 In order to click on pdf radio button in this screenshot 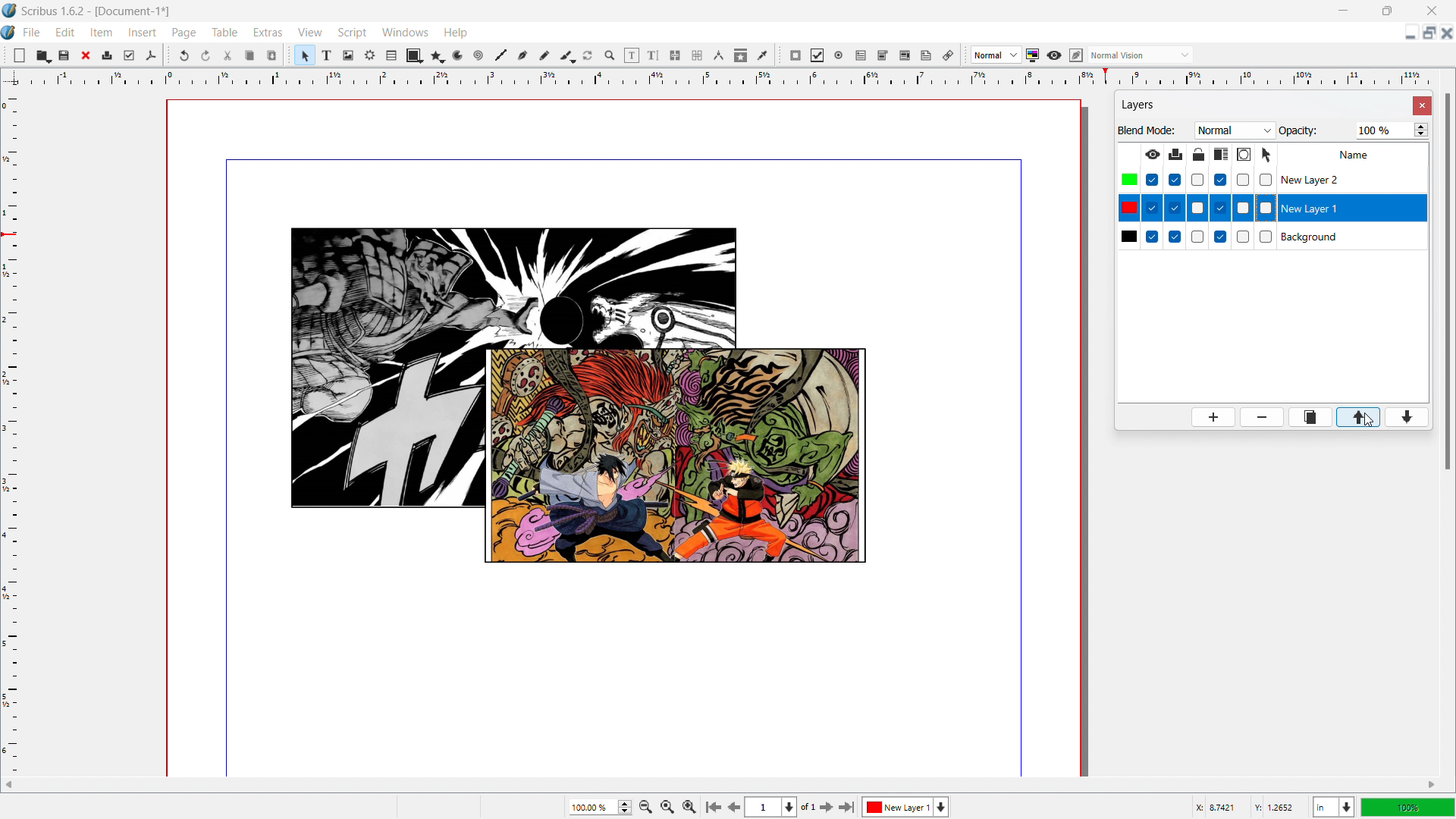, I will do `click(839, 55)`.